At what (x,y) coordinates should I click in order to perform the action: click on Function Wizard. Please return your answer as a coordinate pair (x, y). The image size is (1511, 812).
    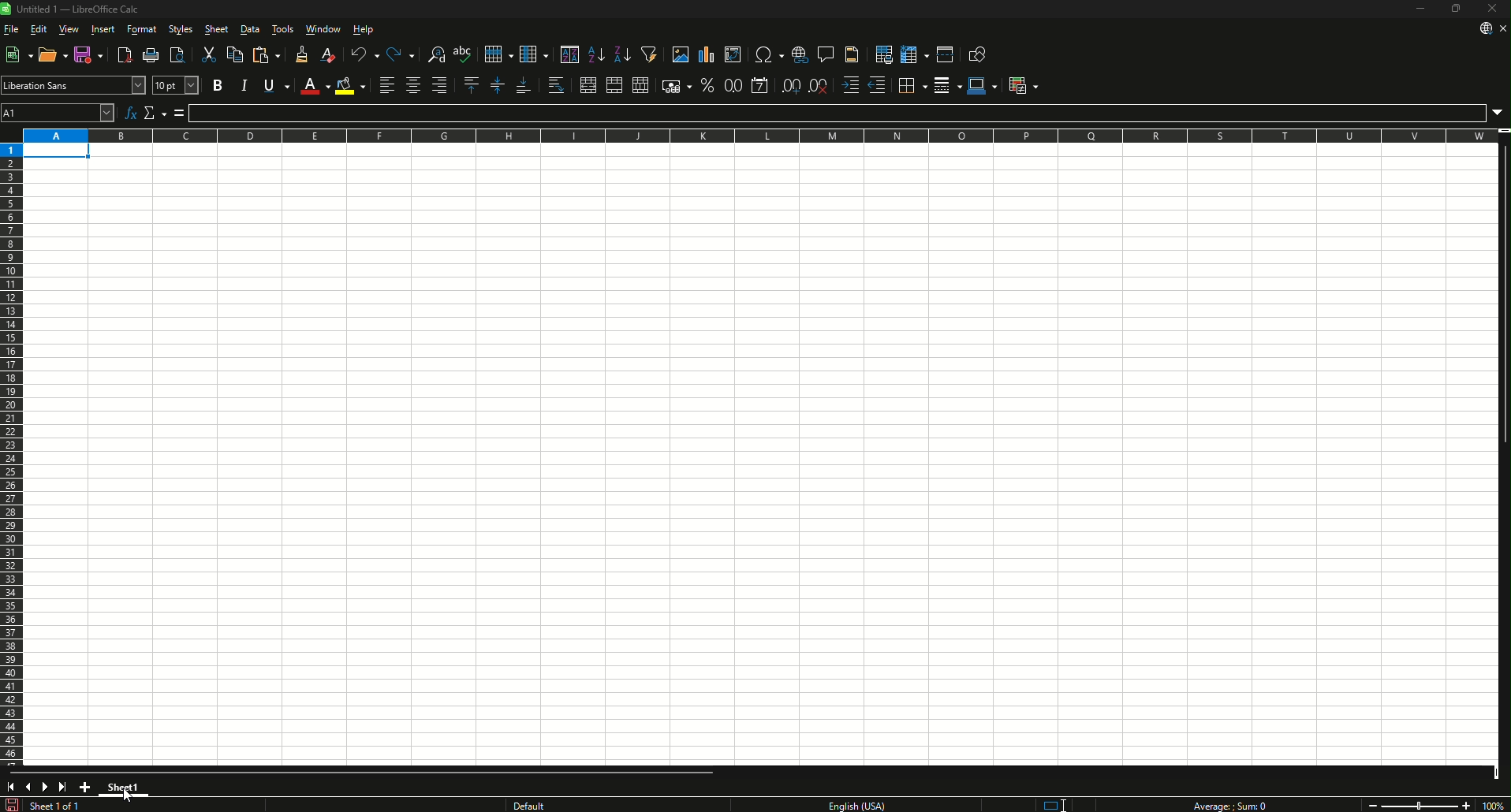
    Looking at the image, I should click on (130, 113).